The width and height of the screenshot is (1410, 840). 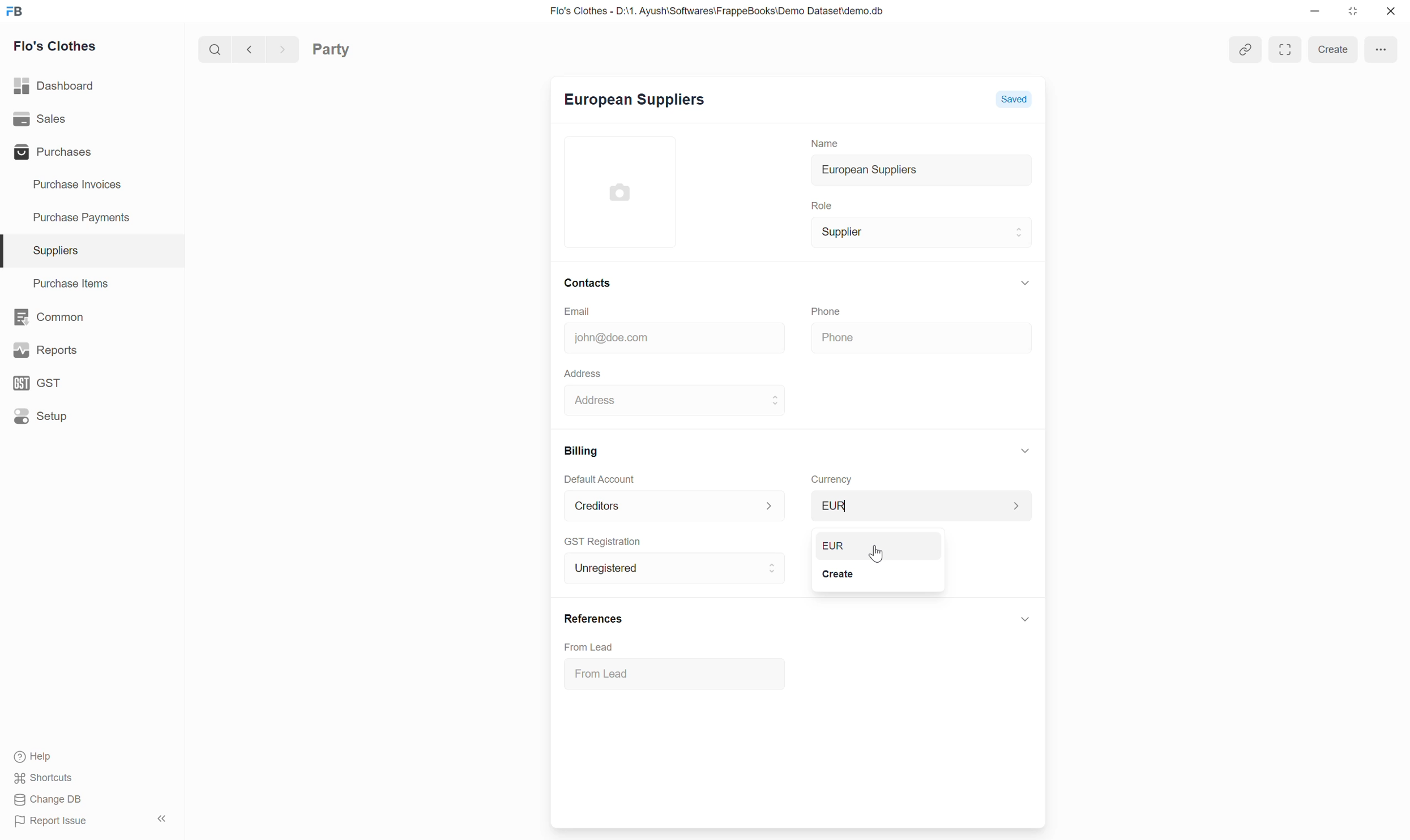 What do you see at coordinates (245, 48) in the screenshot?
I see `go back` at bounding box center [245, 48].